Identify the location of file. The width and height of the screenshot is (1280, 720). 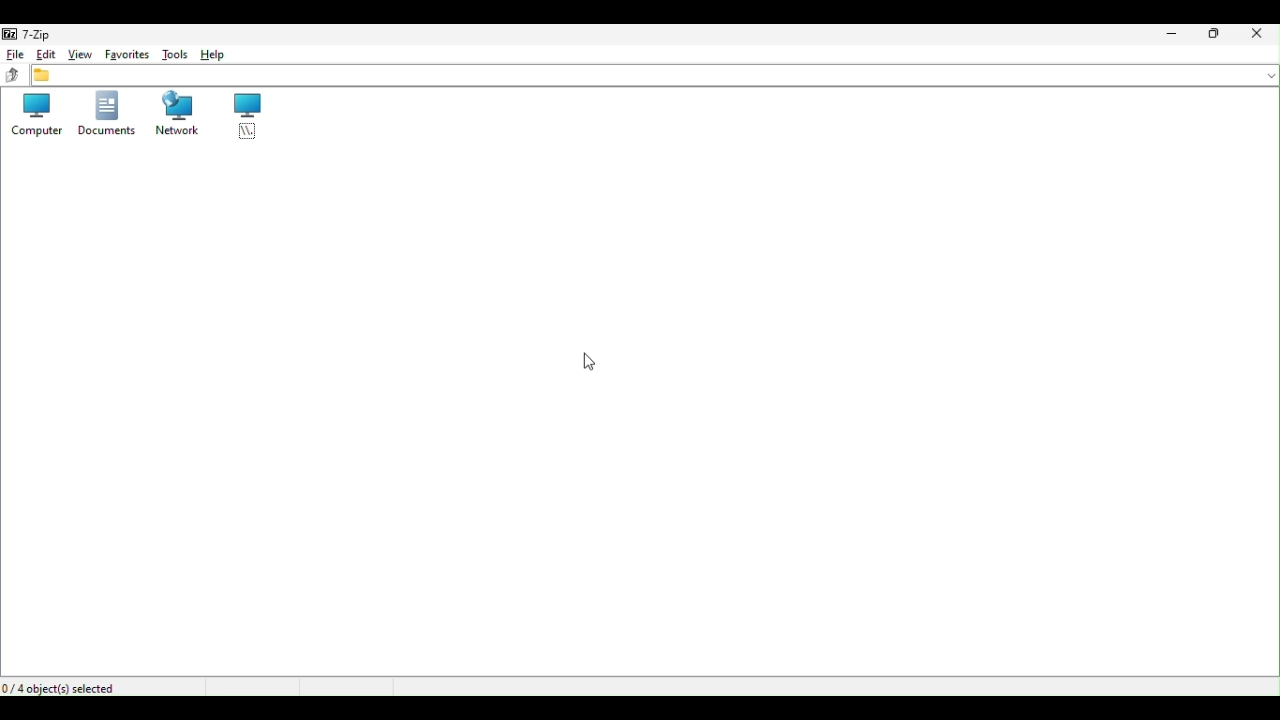
(14, 54).